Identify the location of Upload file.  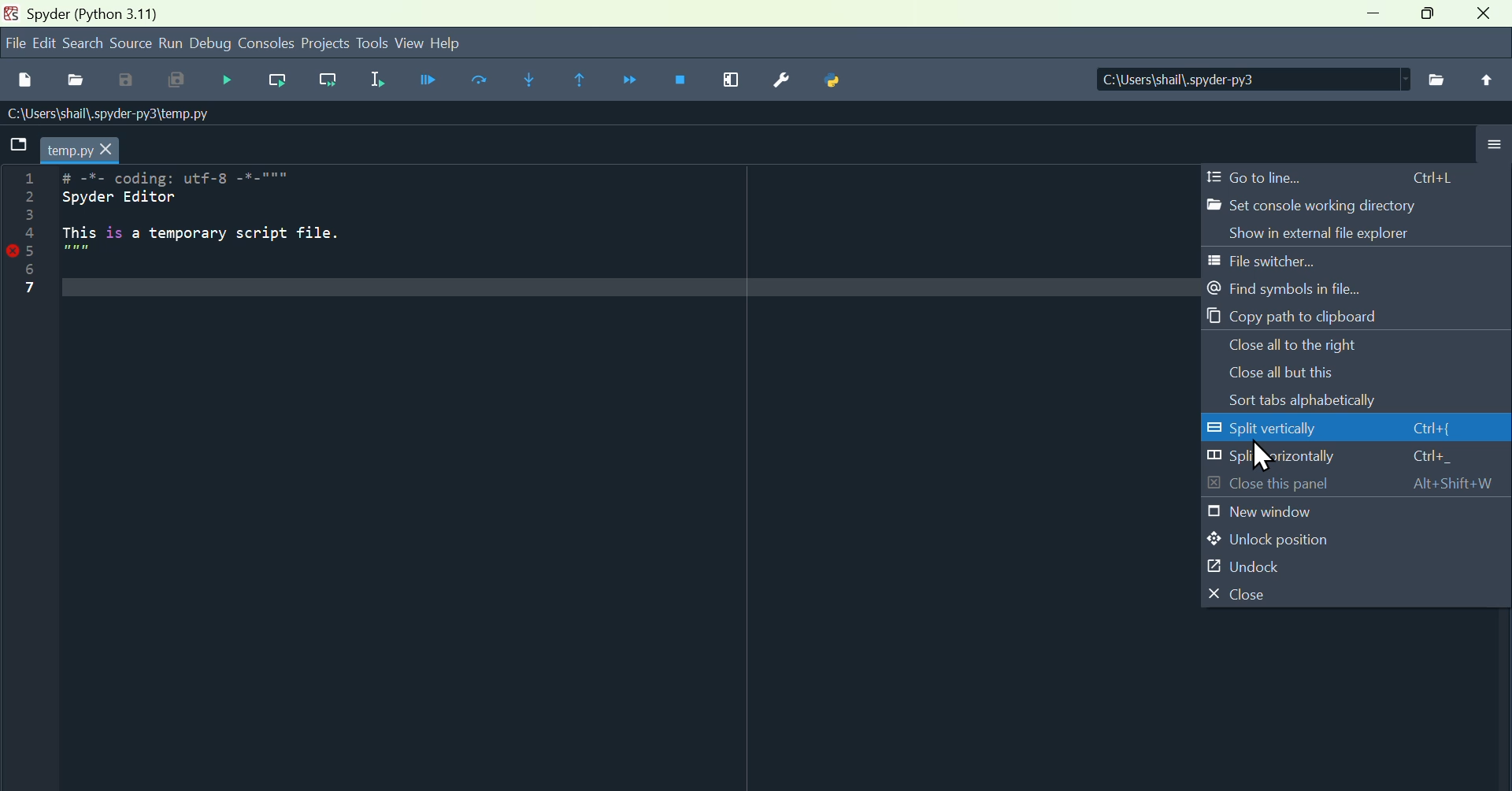
(1484, 84).